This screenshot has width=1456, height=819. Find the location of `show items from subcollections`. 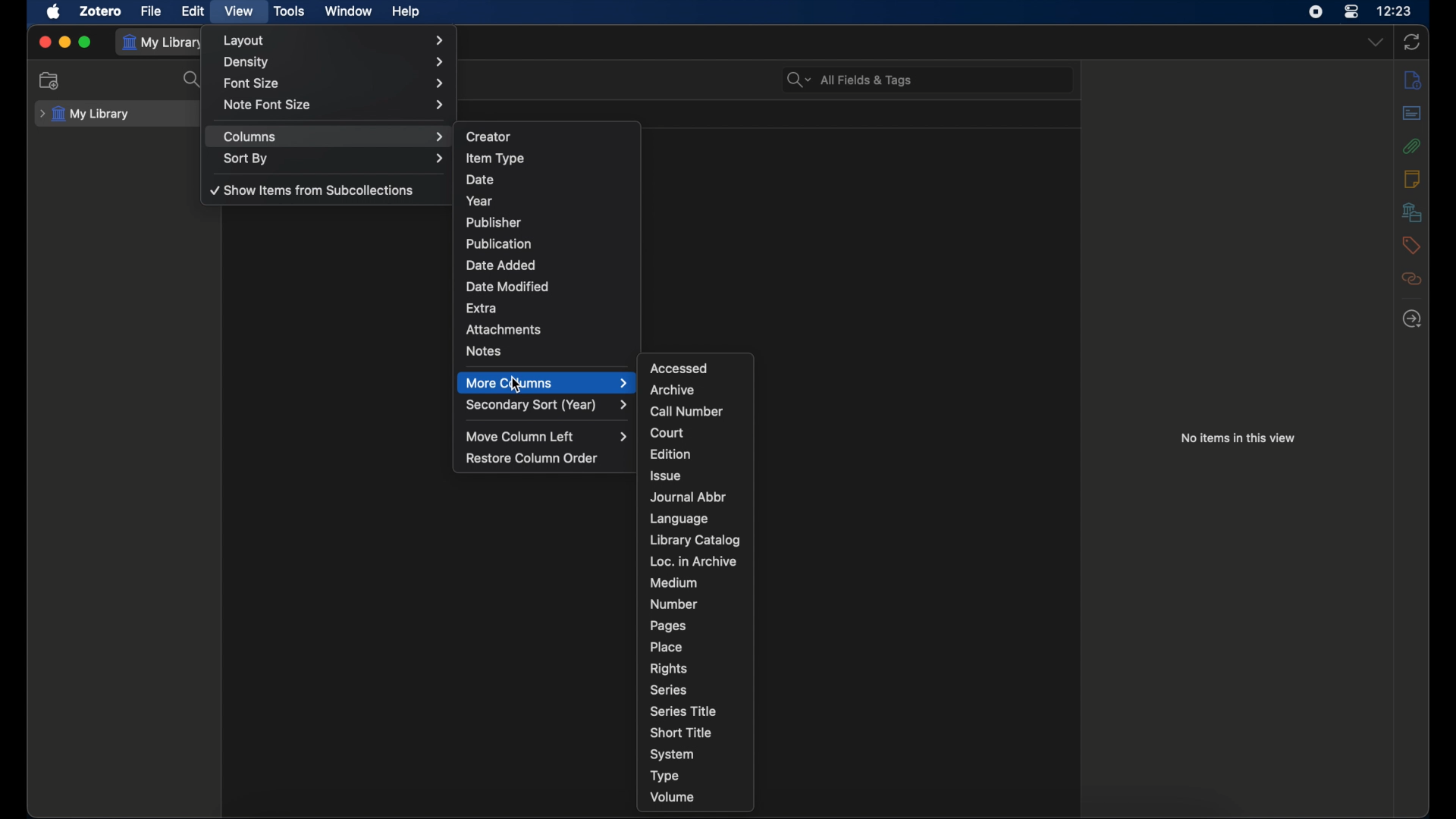

show items from subcollections is located at coordinates (312, 190).